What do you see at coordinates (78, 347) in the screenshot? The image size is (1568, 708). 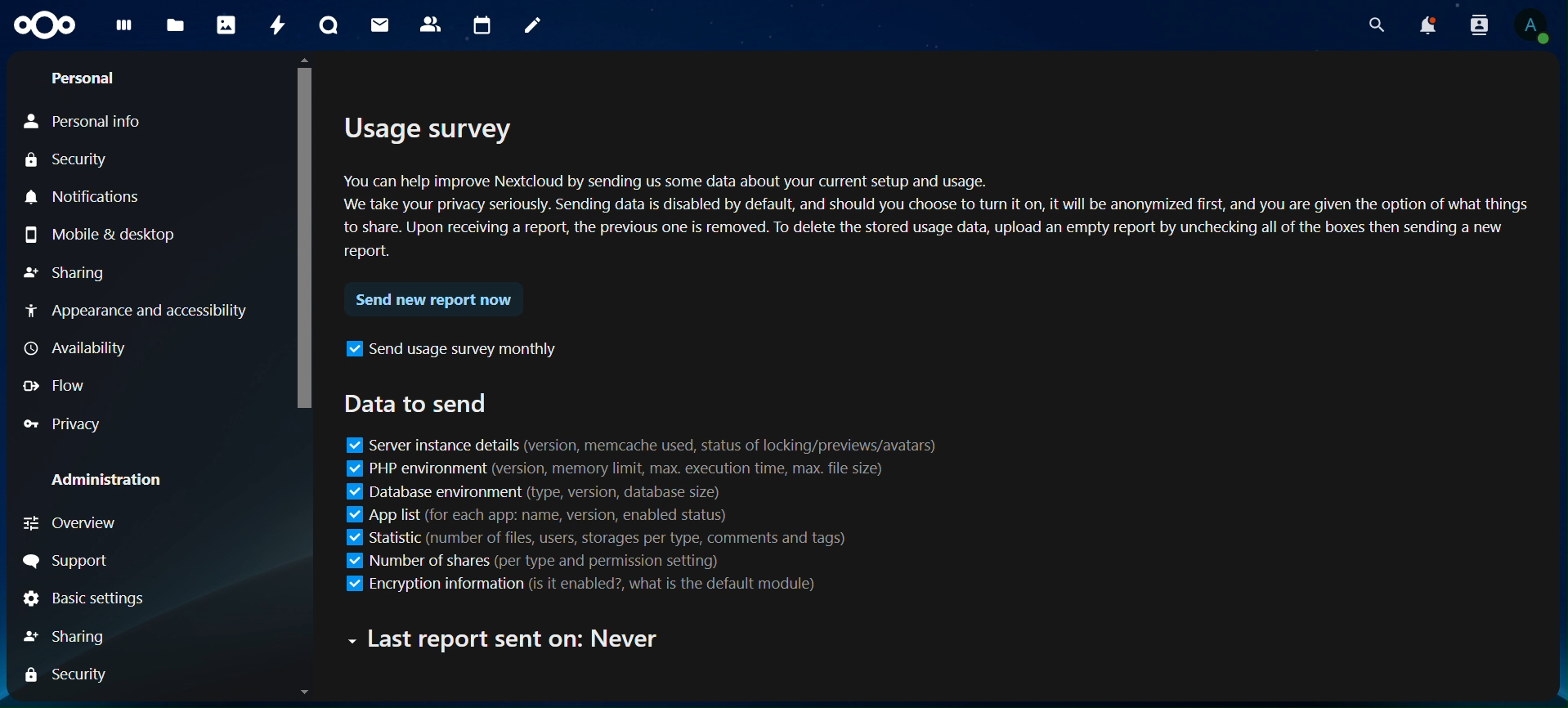 I see `Availability` at bounding box center [78, 347].